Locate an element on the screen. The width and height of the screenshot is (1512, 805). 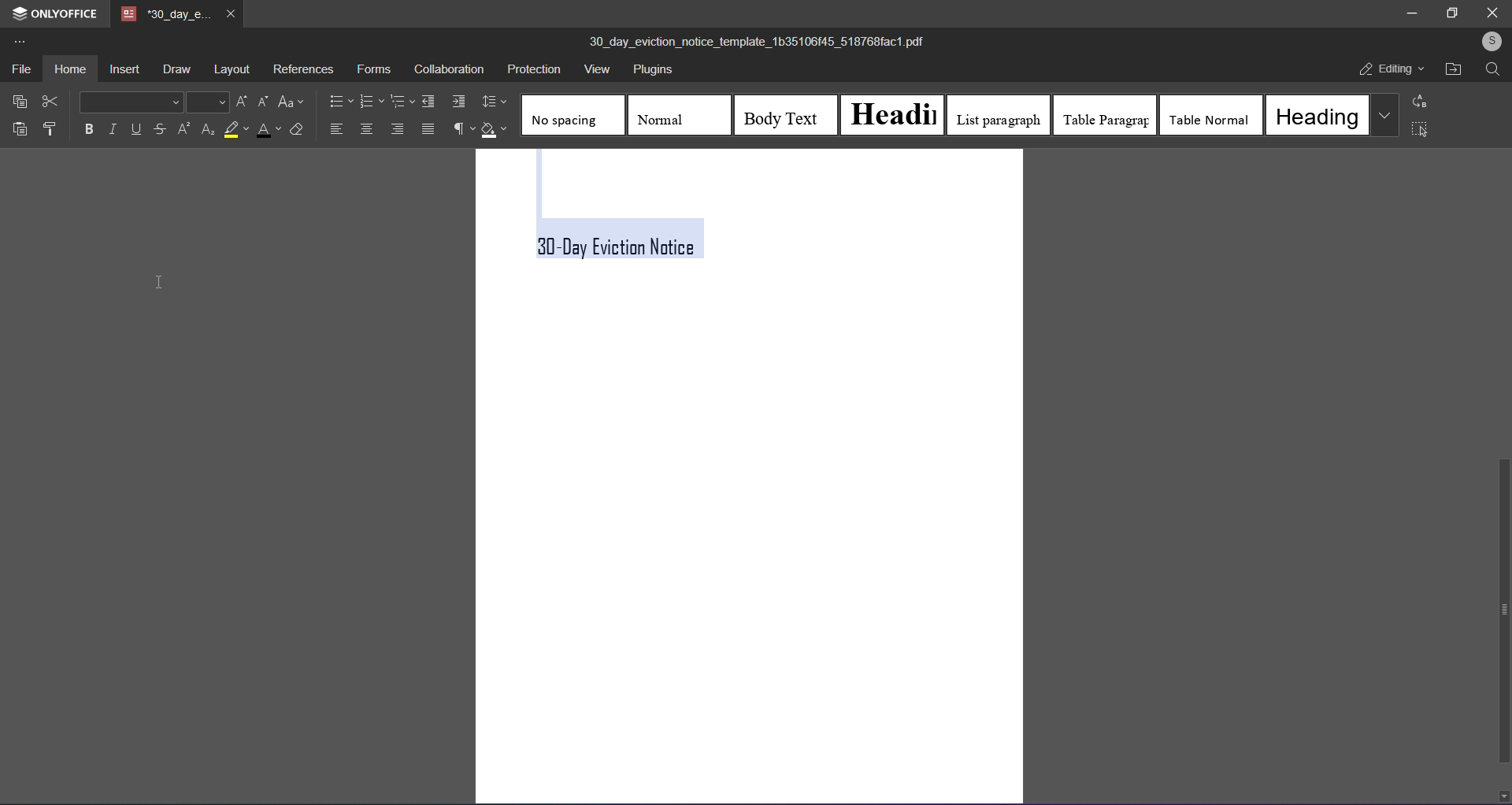
replace is located at coordinates (1424, 101).